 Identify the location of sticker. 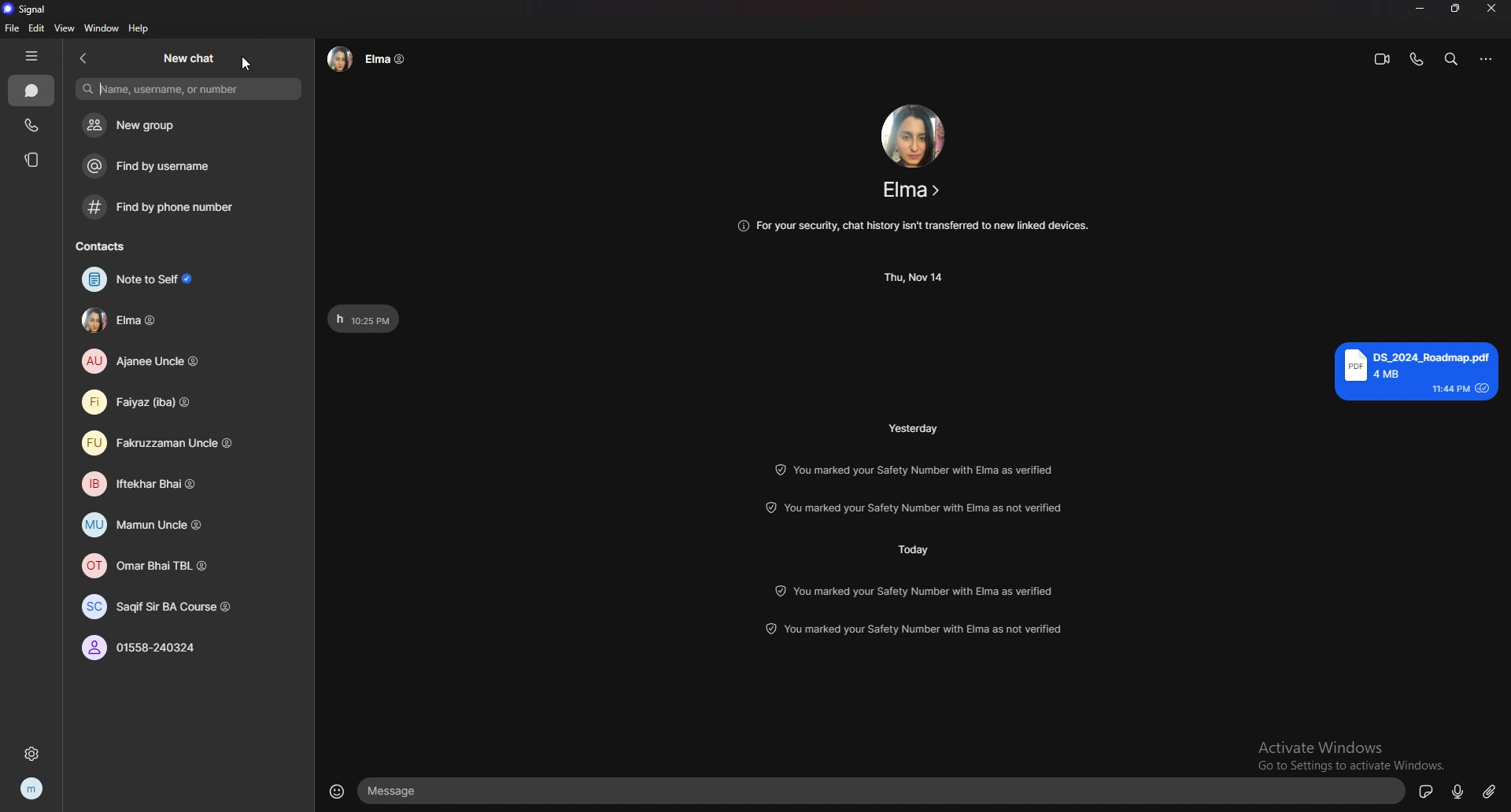
(1427, 791).